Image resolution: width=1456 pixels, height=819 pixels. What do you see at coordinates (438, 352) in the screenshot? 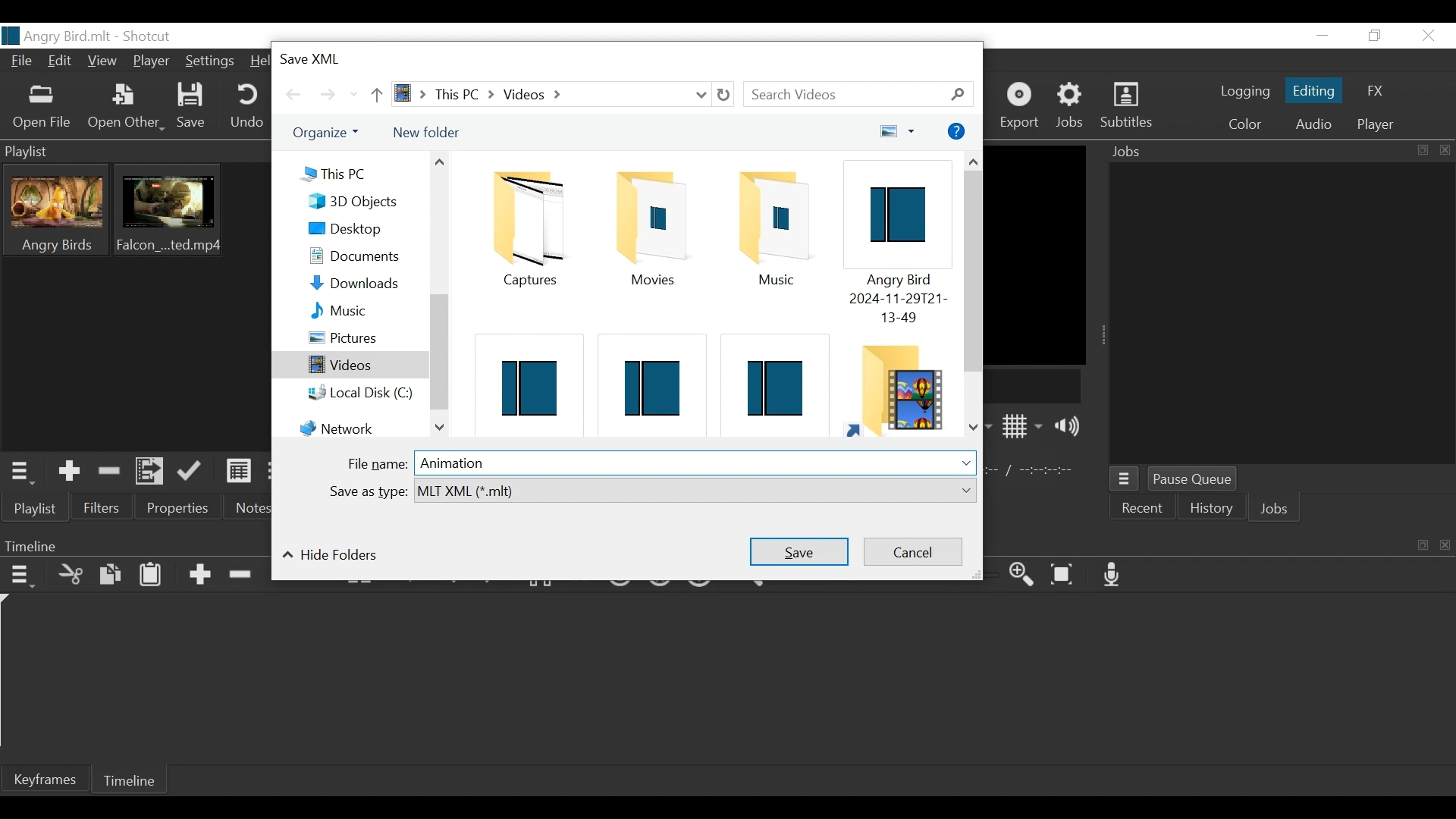
I see `Vertical Scroll bar` at bounding box center [438, 352].